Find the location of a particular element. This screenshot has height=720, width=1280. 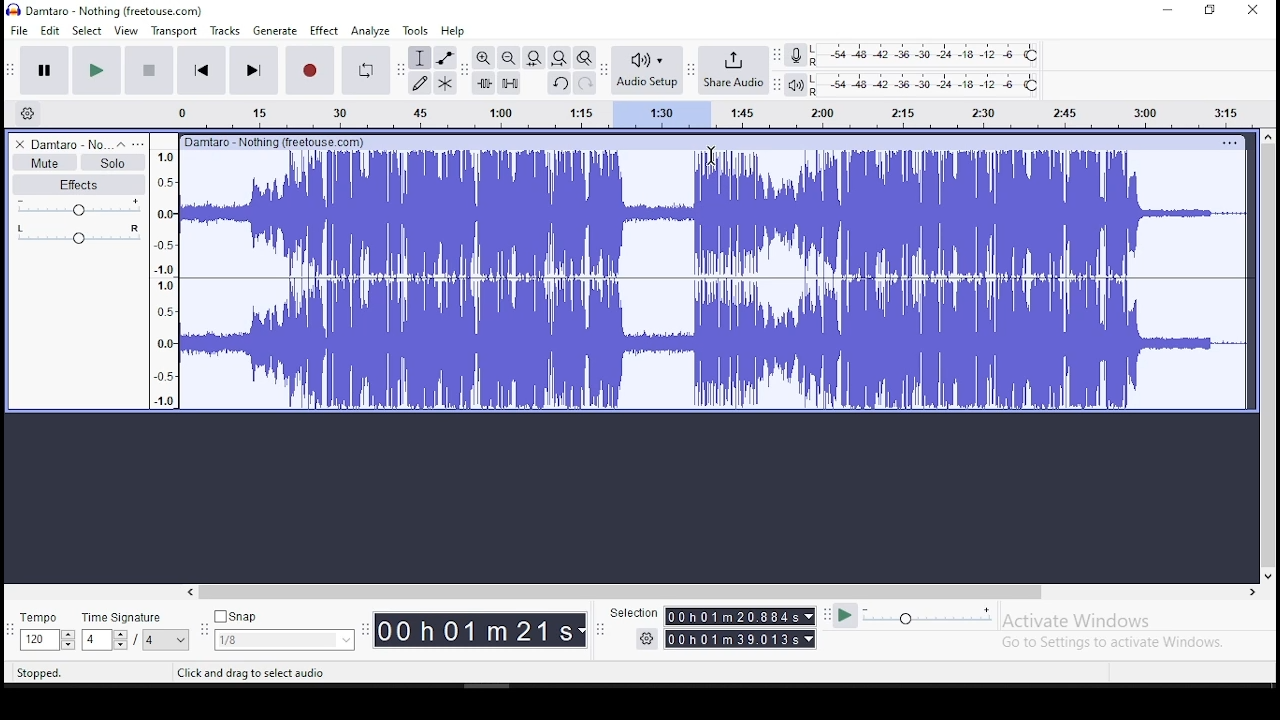

drop down is located at coordinates (811, 639).